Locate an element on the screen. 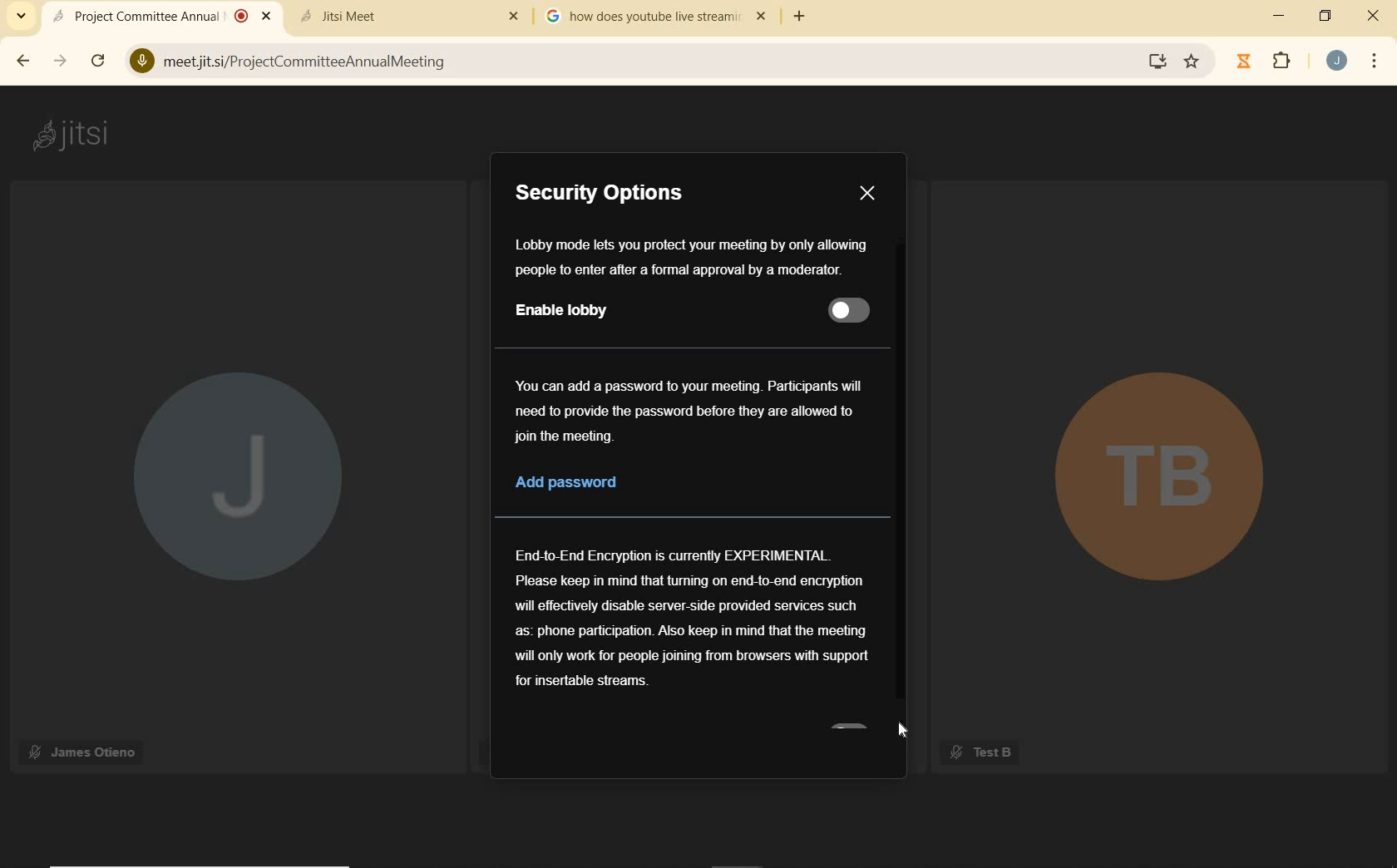  ADD TAB is located at coordinates (797, 17).